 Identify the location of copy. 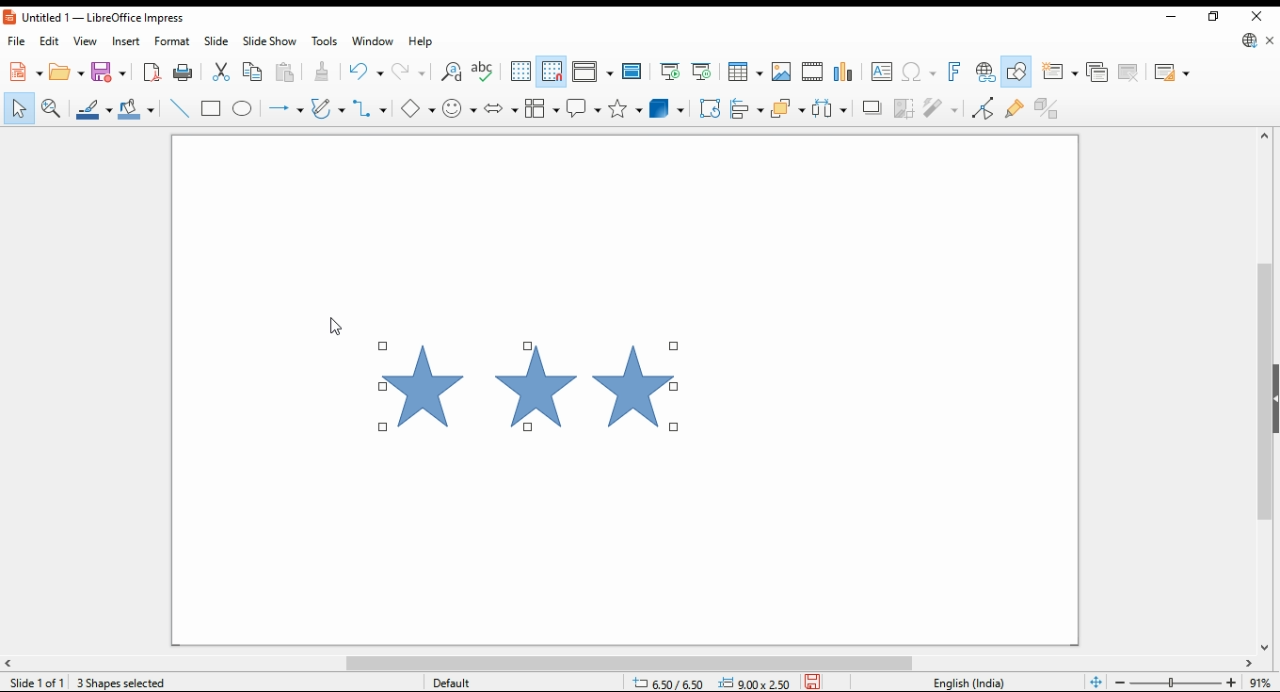
(257, 72).